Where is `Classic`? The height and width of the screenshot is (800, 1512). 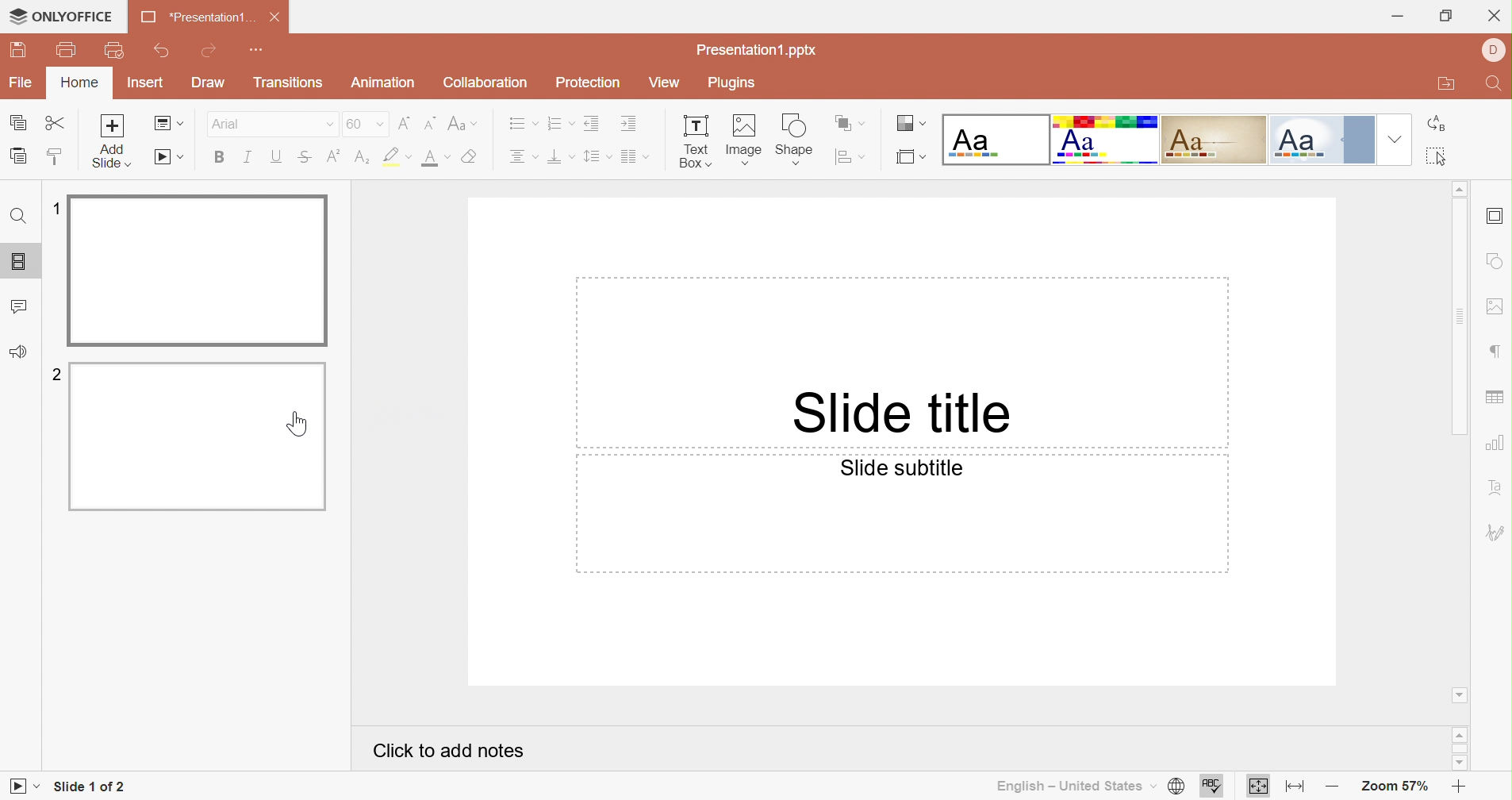 Classic is located at coordinates (1212, 140).